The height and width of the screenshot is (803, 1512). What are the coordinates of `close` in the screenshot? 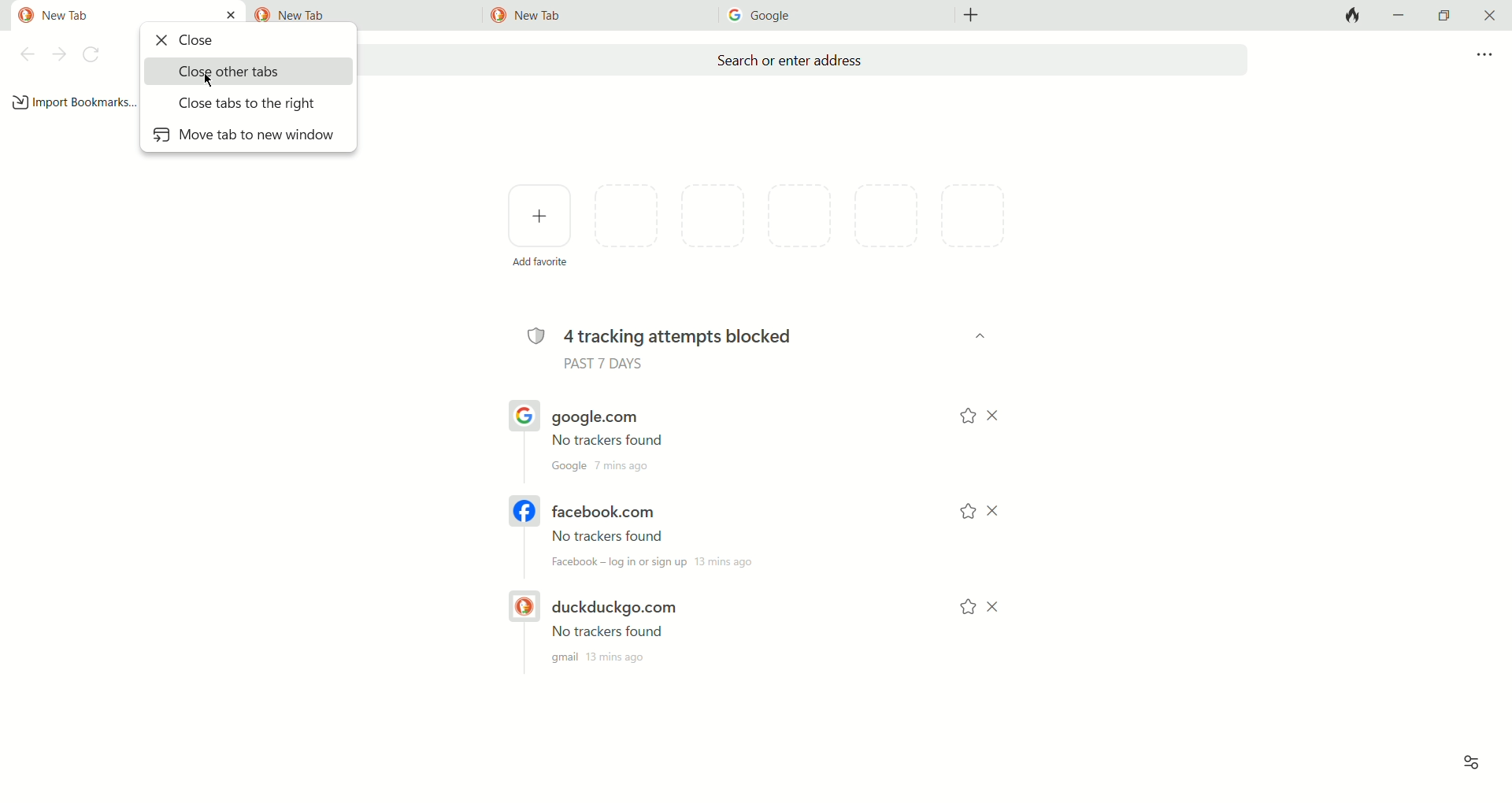 It's located at (185, 41).